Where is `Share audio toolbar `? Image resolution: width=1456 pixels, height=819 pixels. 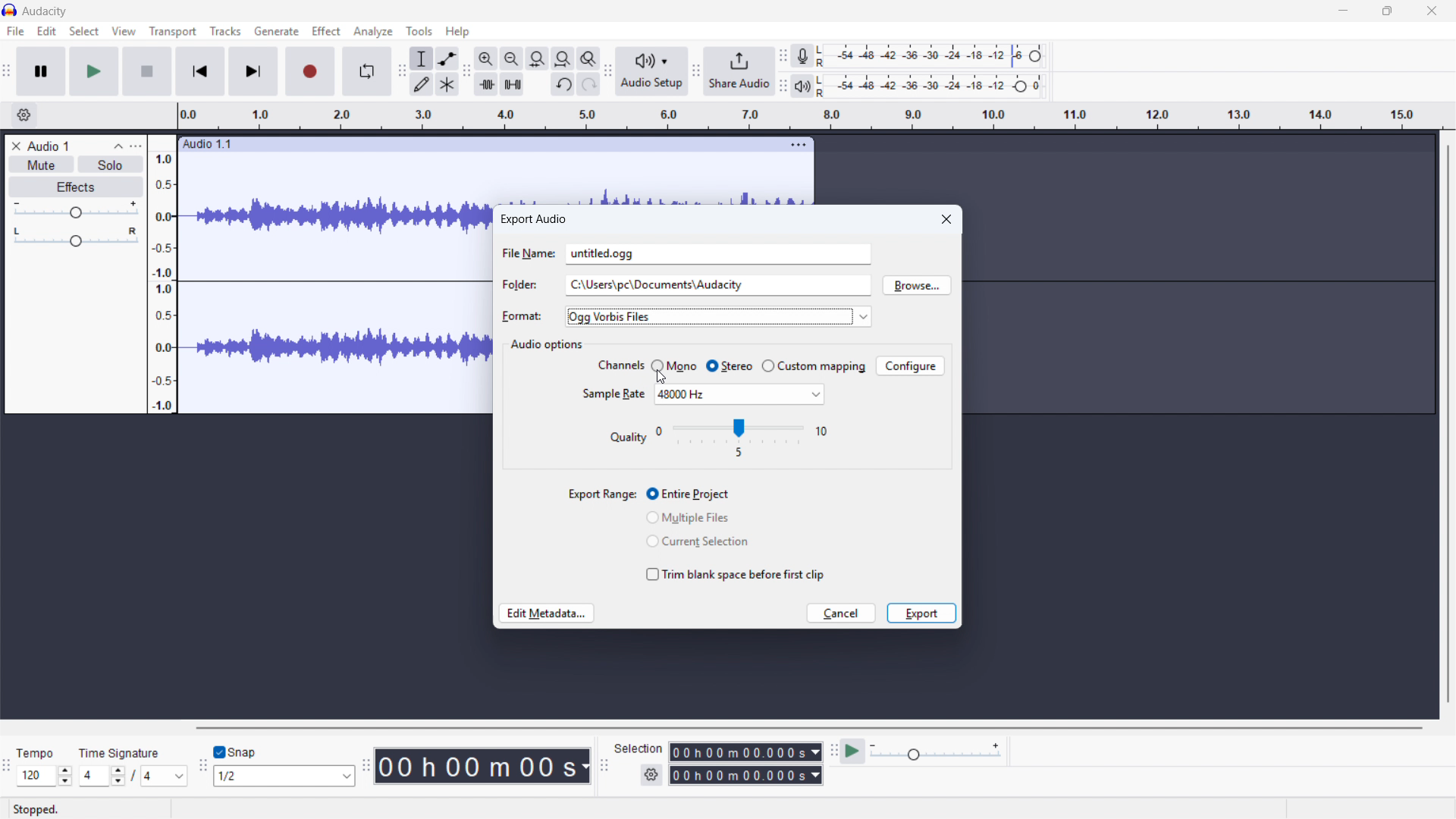 Share audio toolbar  is located at coordinates (696, 71).